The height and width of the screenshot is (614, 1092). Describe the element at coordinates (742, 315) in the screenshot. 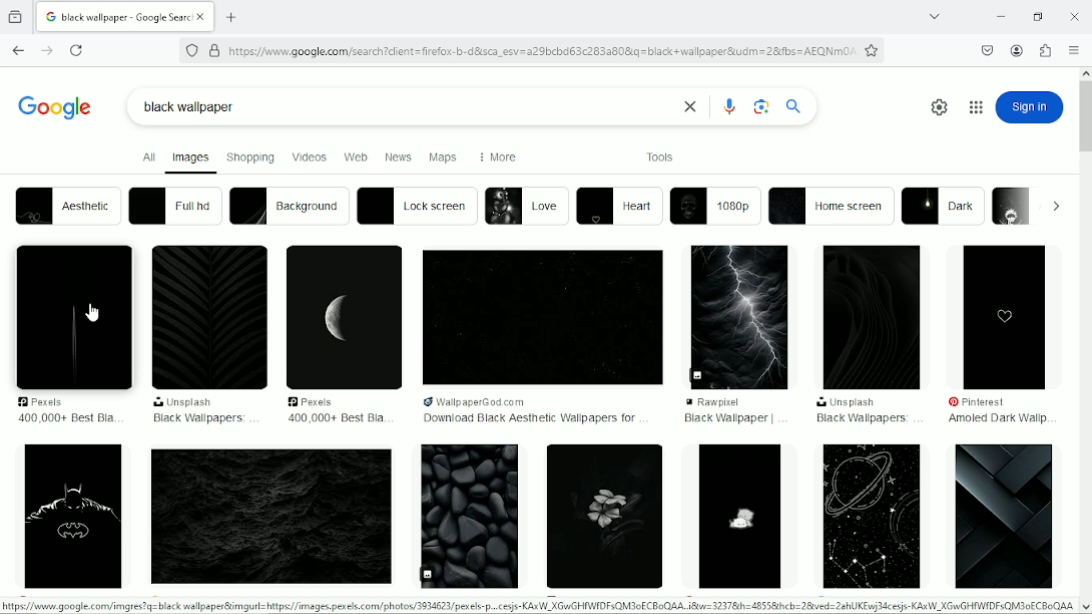

I see `black image` at that location.